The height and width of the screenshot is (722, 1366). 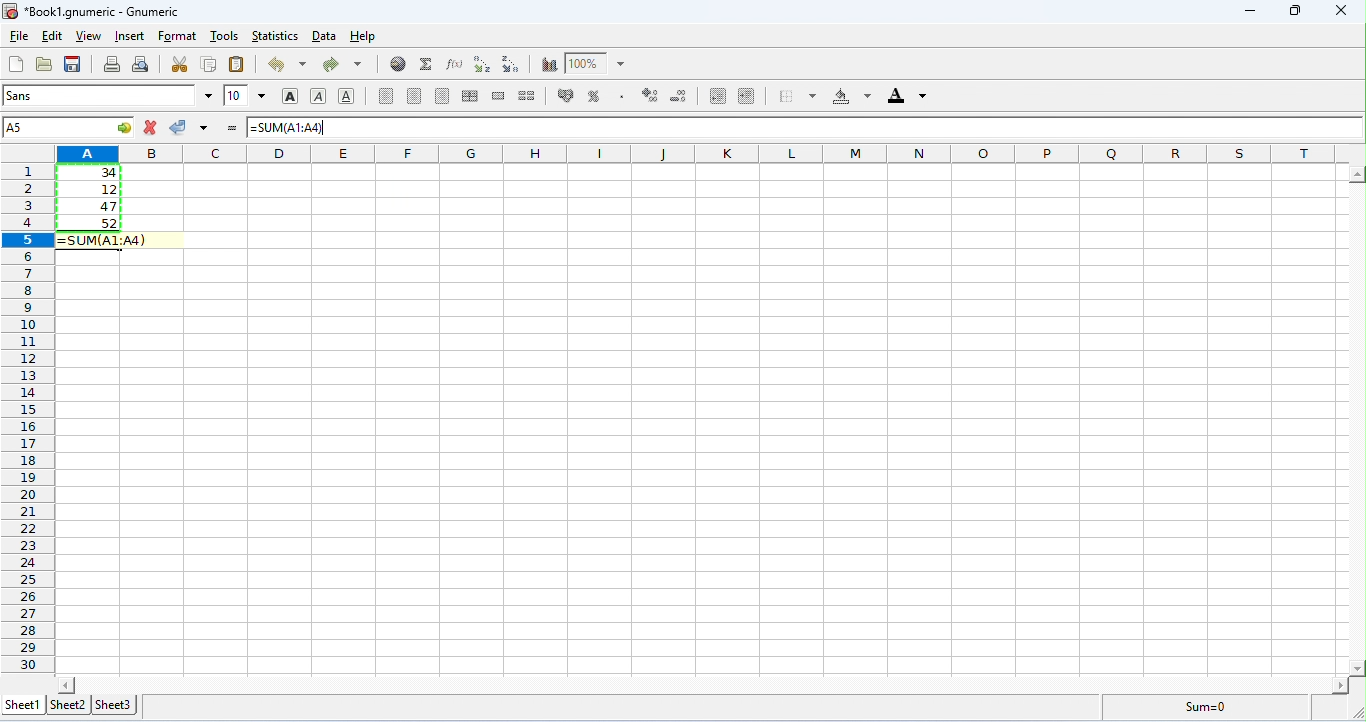 What do you see at coordinates (151, 127) in the screenshot?
I see `color change in reject` at bounding box center [151, 127].